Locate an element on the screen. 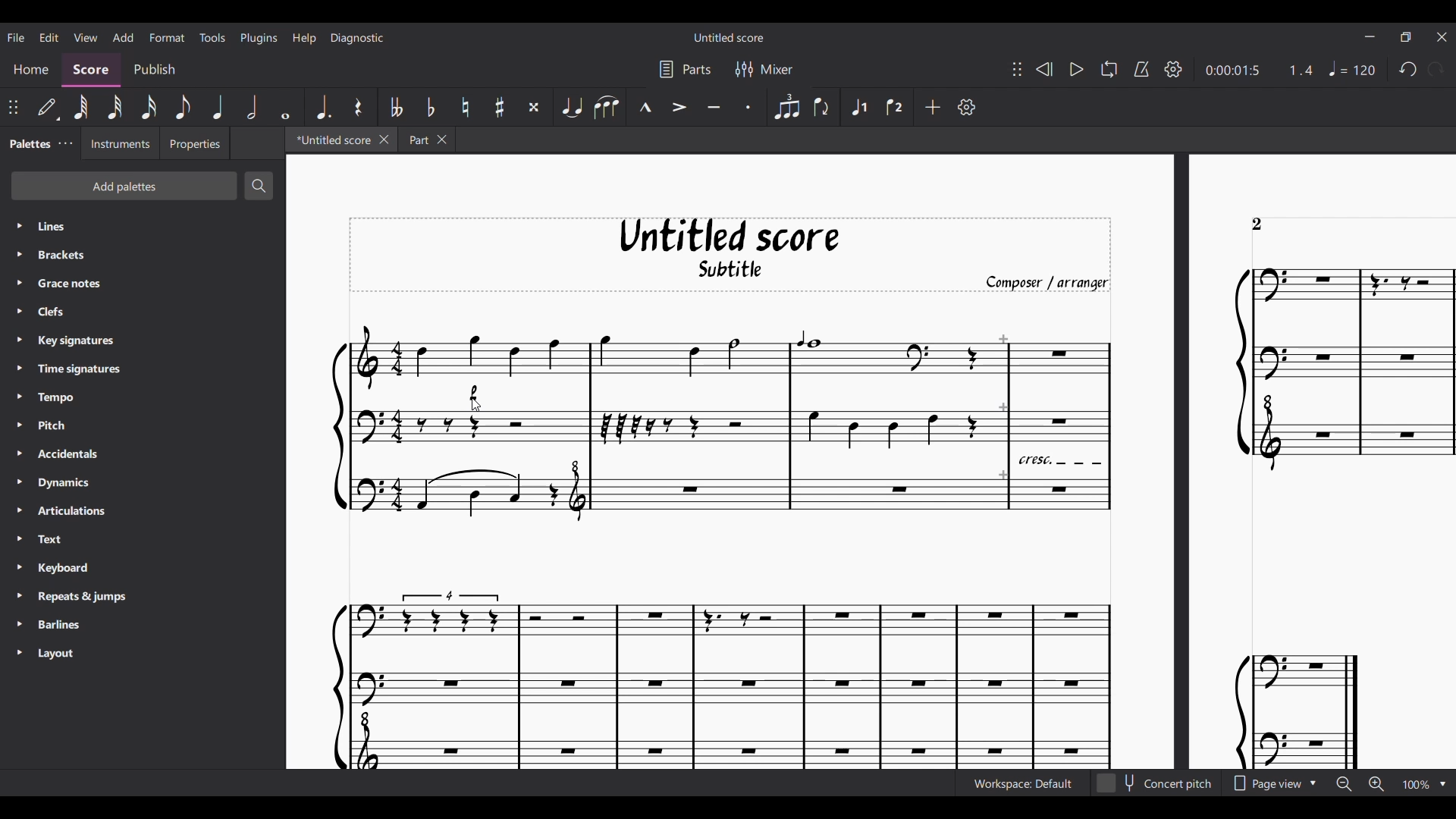 This screenshot has height=819, width=1456. 16th note is located at coordinates (149, 107).